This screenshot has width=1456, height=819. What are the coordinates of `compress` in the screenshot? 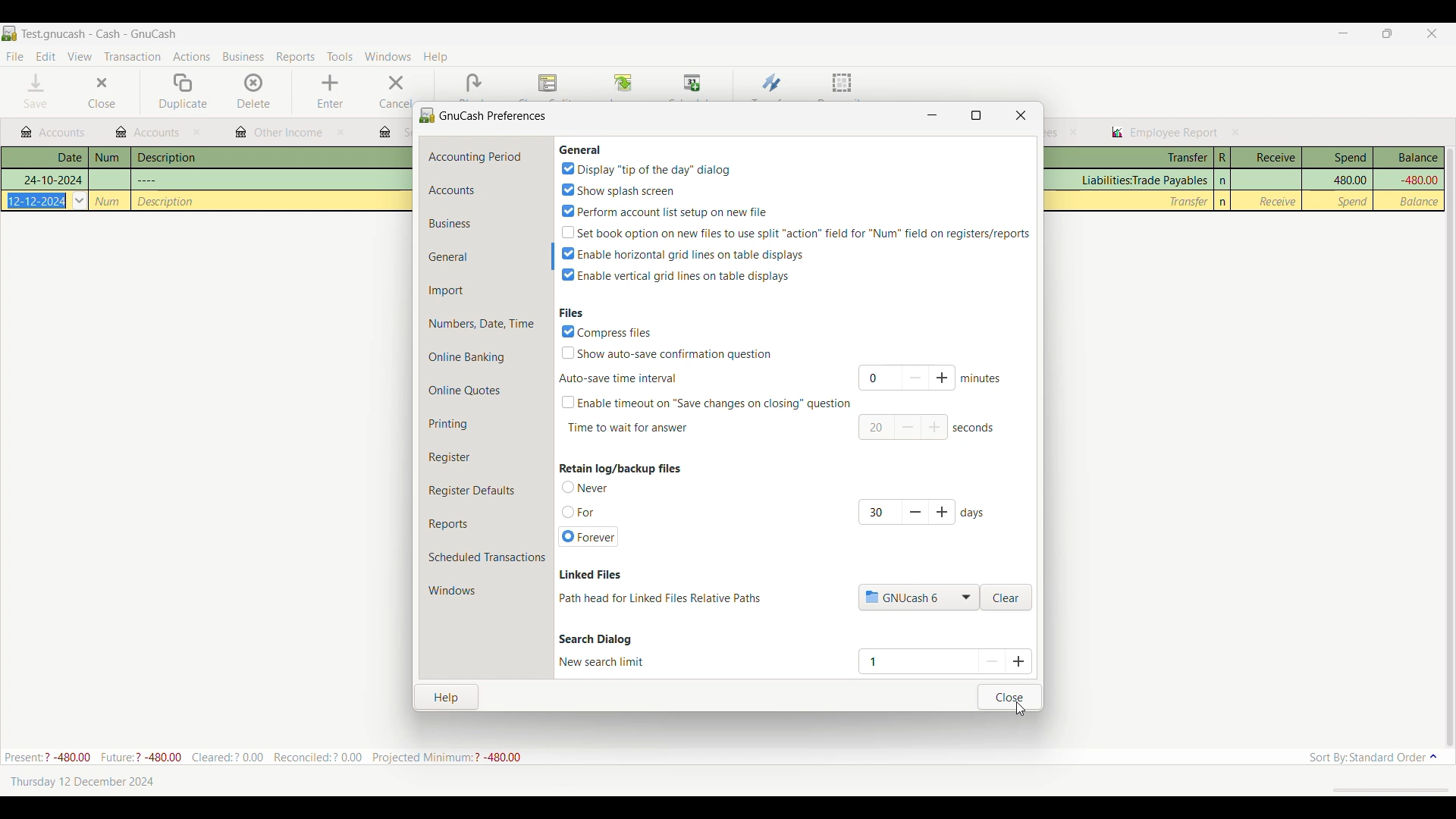 It's located at (608, 331).